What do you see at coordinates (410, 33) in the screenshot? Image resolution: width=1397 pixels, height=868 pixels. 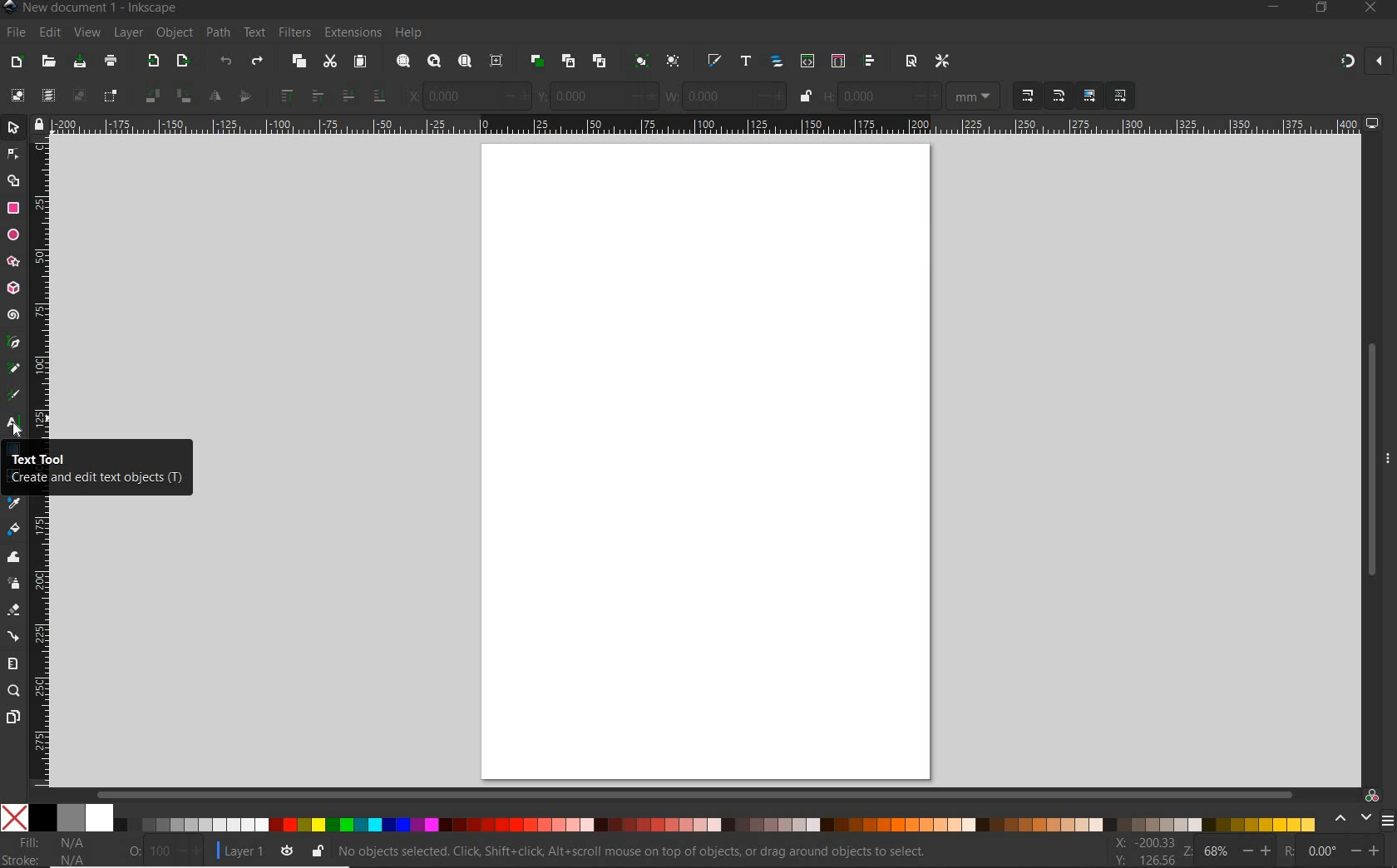 I see `help` at bounding box center [410, 33].